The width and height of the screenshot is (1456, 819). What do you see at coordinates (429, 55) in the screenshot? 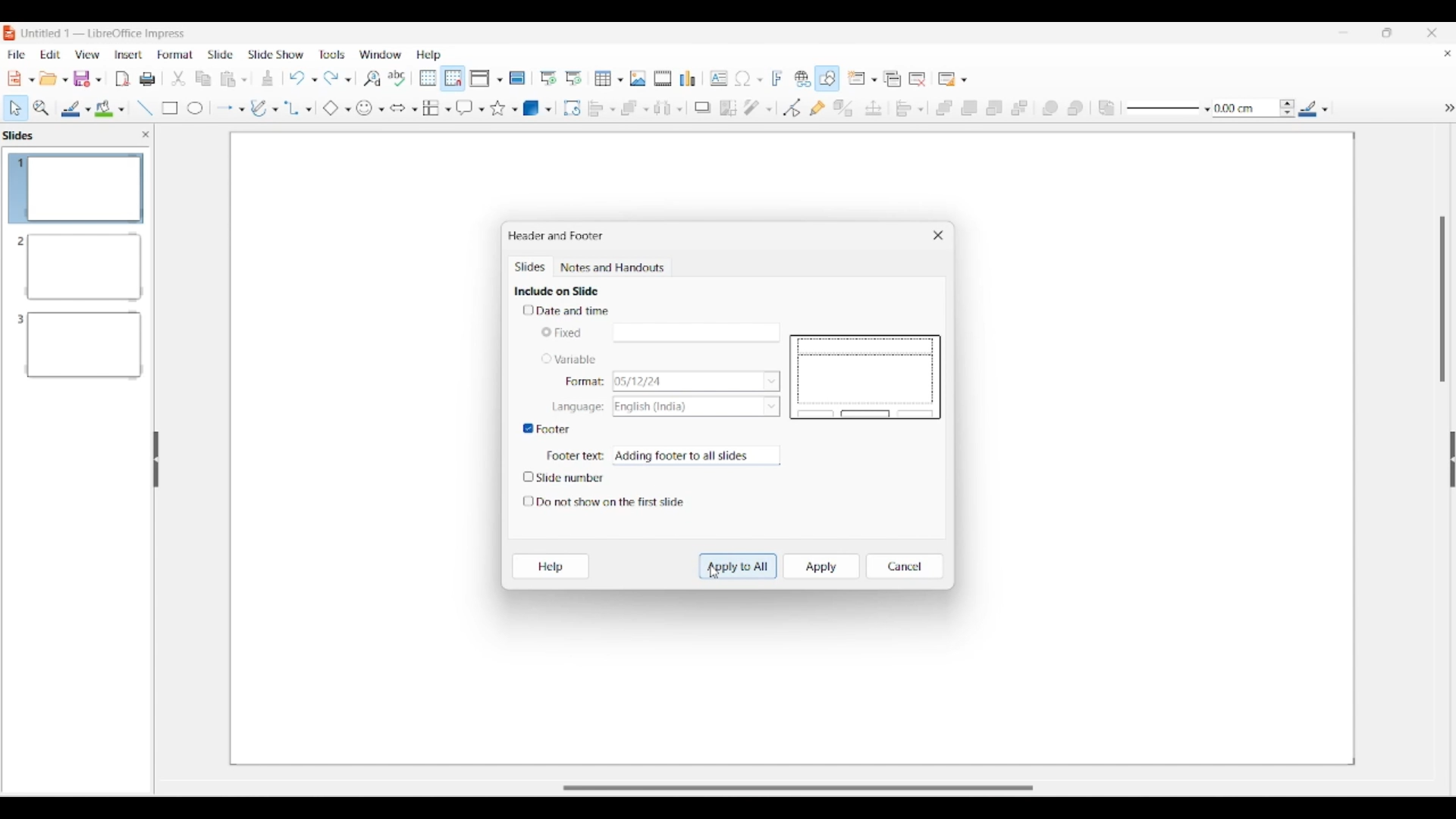
I see `Help menu` at bounding box center [429, 55].